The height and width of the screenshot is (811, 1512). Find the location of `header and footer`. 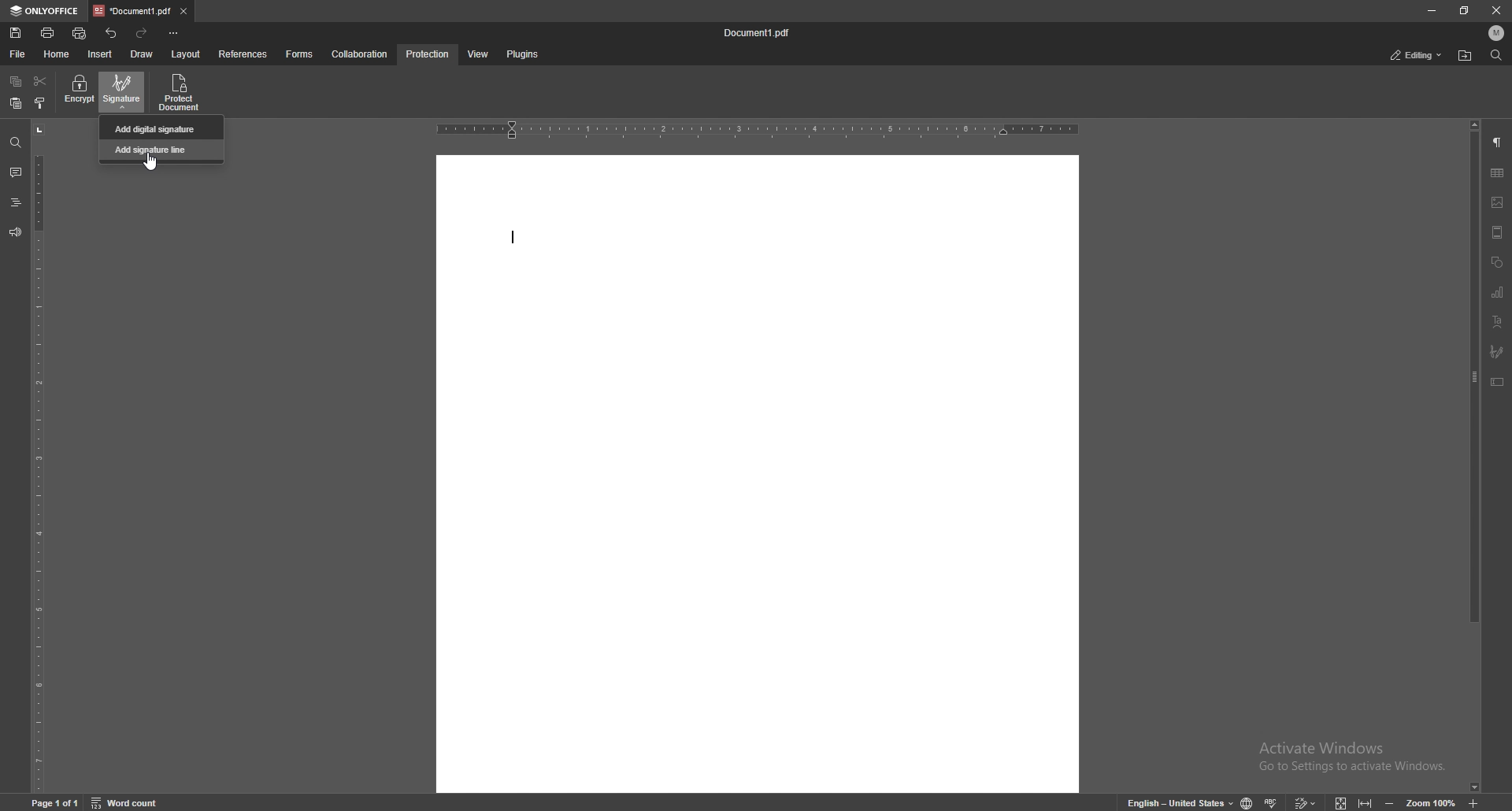

header and footer is located at coordinates (1497, 232).